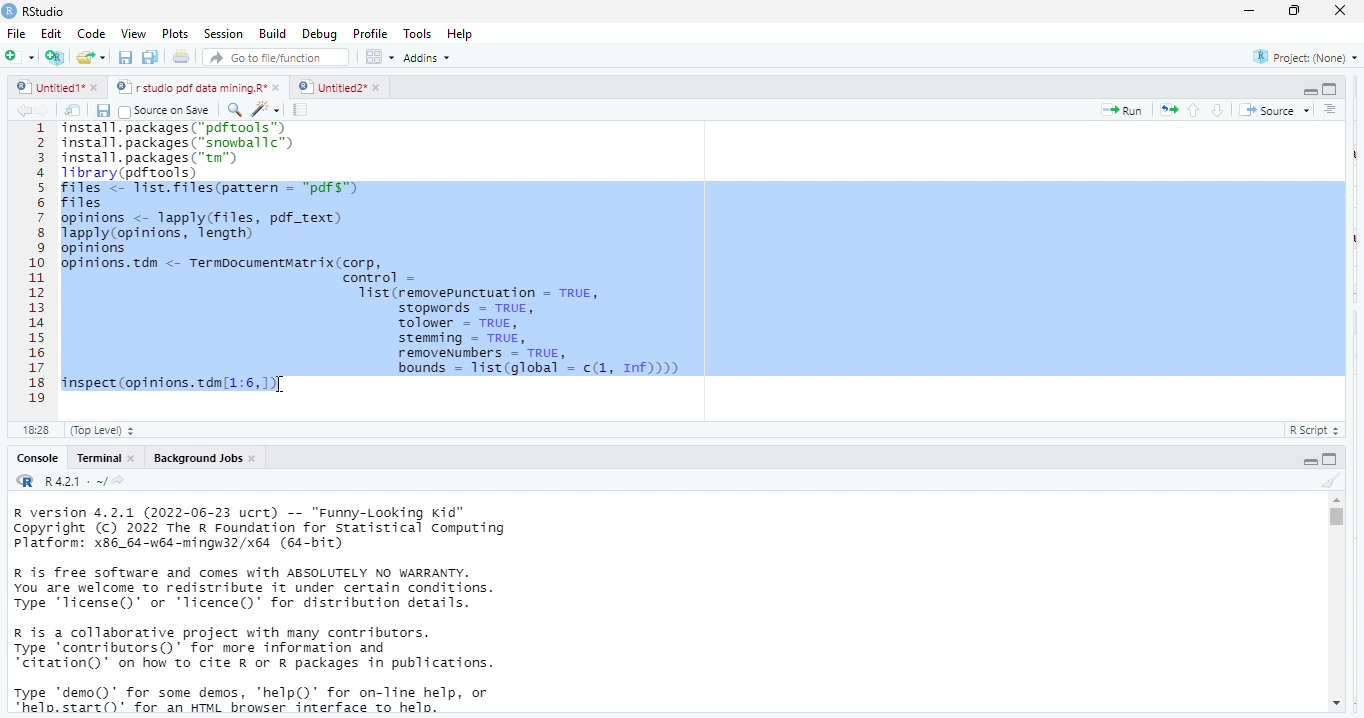 The height and width of the screenshot is (718, 1364). What do you see at coordinates (291, 611) in the screenshot?
I see `R version 4.2.1 (2022-06-23 ucrt) -- "Funny-Looking Kid™
Copyright (C) 2022 The R Foundation for Statistical Computing
Platform: x86_64-w64-mingw32/x64 (64-bit)

R is free software and comes with ABSOLUTELY NO WARRANTY.
You are welcome to redistribute it under certain conditions.
Type 'Ticense()' or 'licence()’ for distribution details.

R is a collaborative project with many contributors.

Type ‘contributors()’ for more information and

“citation()’ on how to cite R or R packages in publications.
Type "demo()’ for some demos, 'help()' for on-line help, or
"helo.start()" for an HTML browser interface to helo.` at bounding box center [291, 611].